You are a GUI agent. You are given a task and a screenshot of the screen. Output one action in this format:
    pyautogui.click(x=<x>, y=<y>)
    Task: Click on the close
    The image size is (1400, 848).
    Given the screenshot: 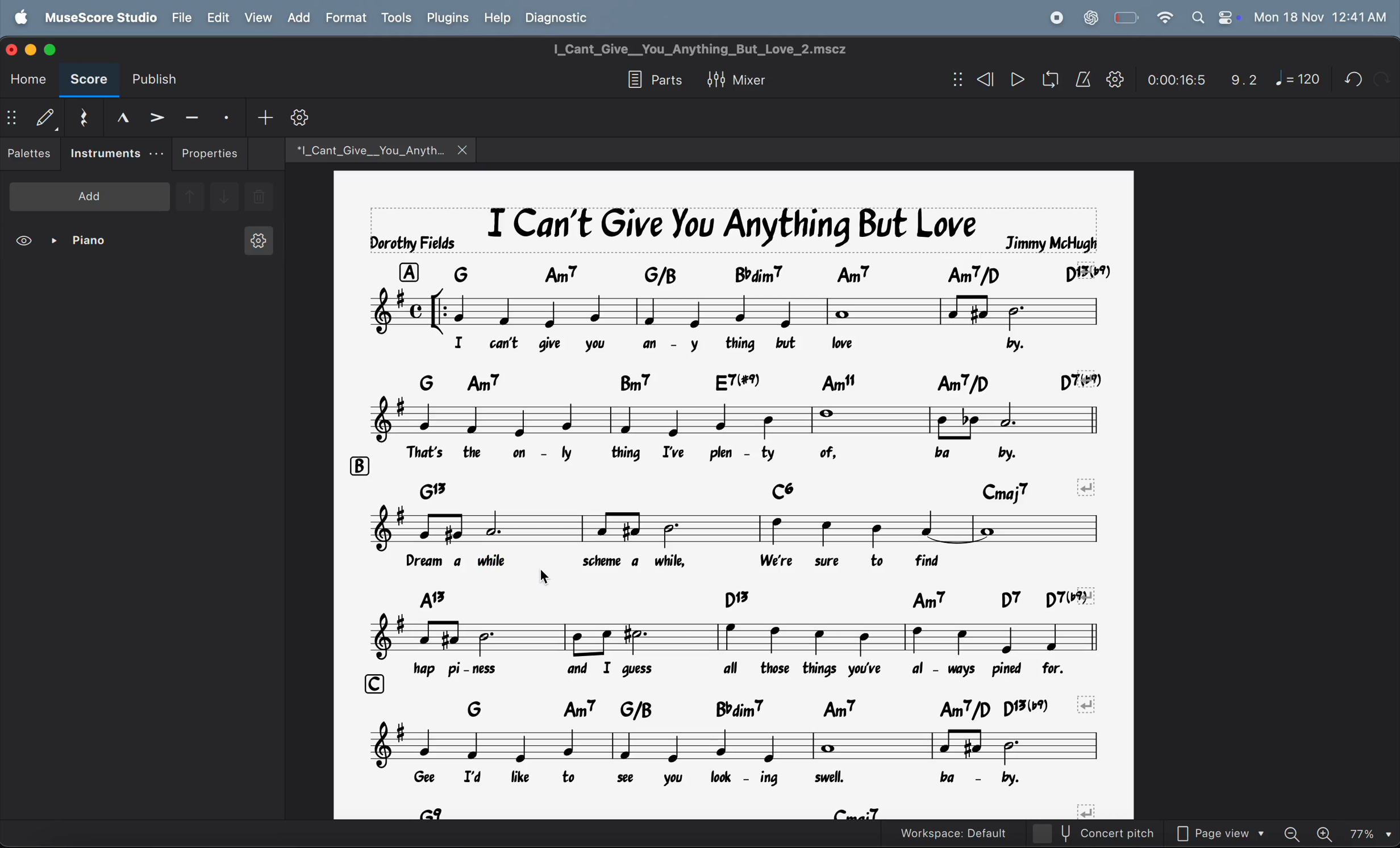 What is the action you would take?
    pyautogui.click(x=465, y=149)
    